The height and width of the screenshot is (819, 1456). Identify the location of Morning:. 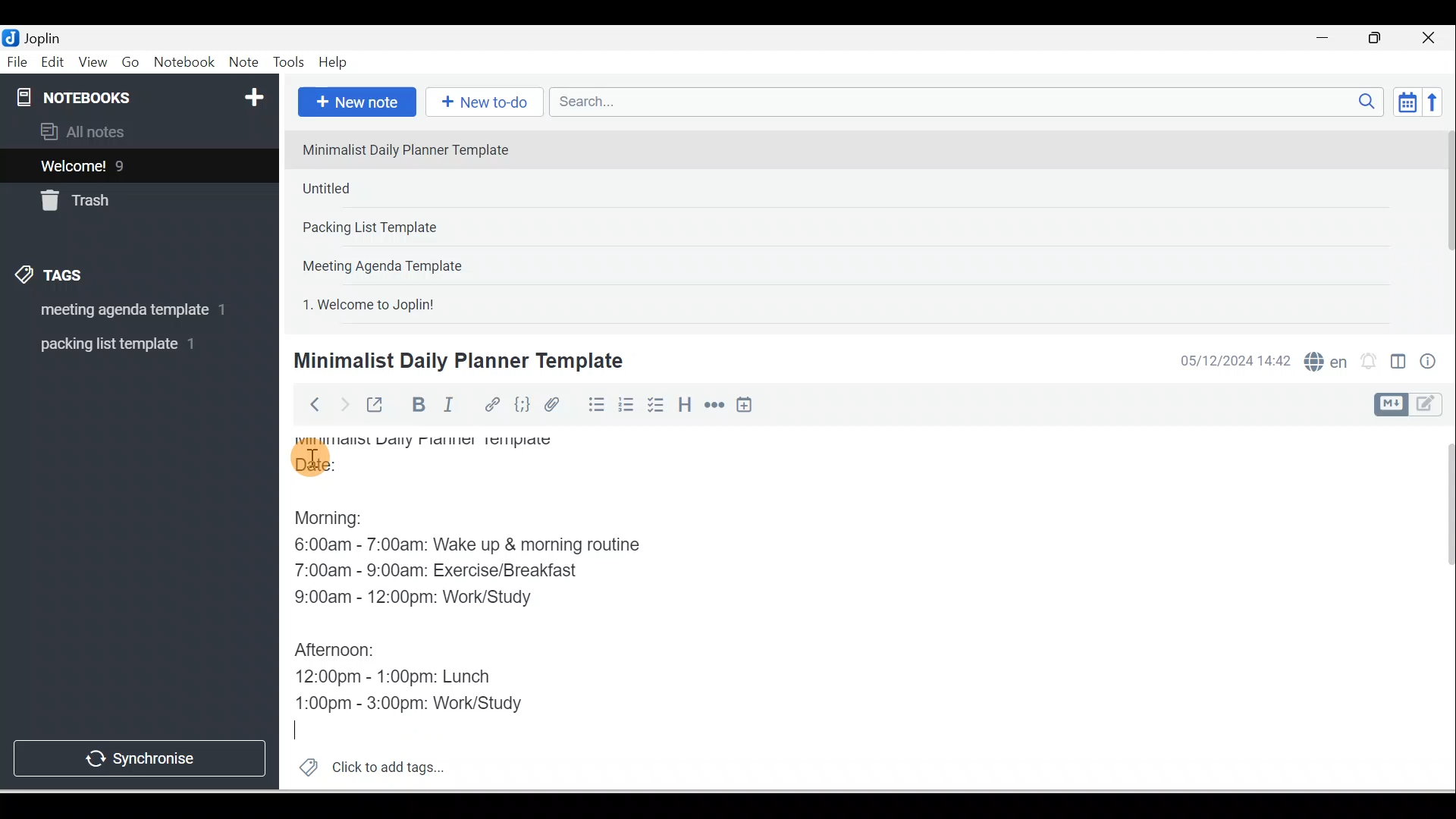
(345, 522).